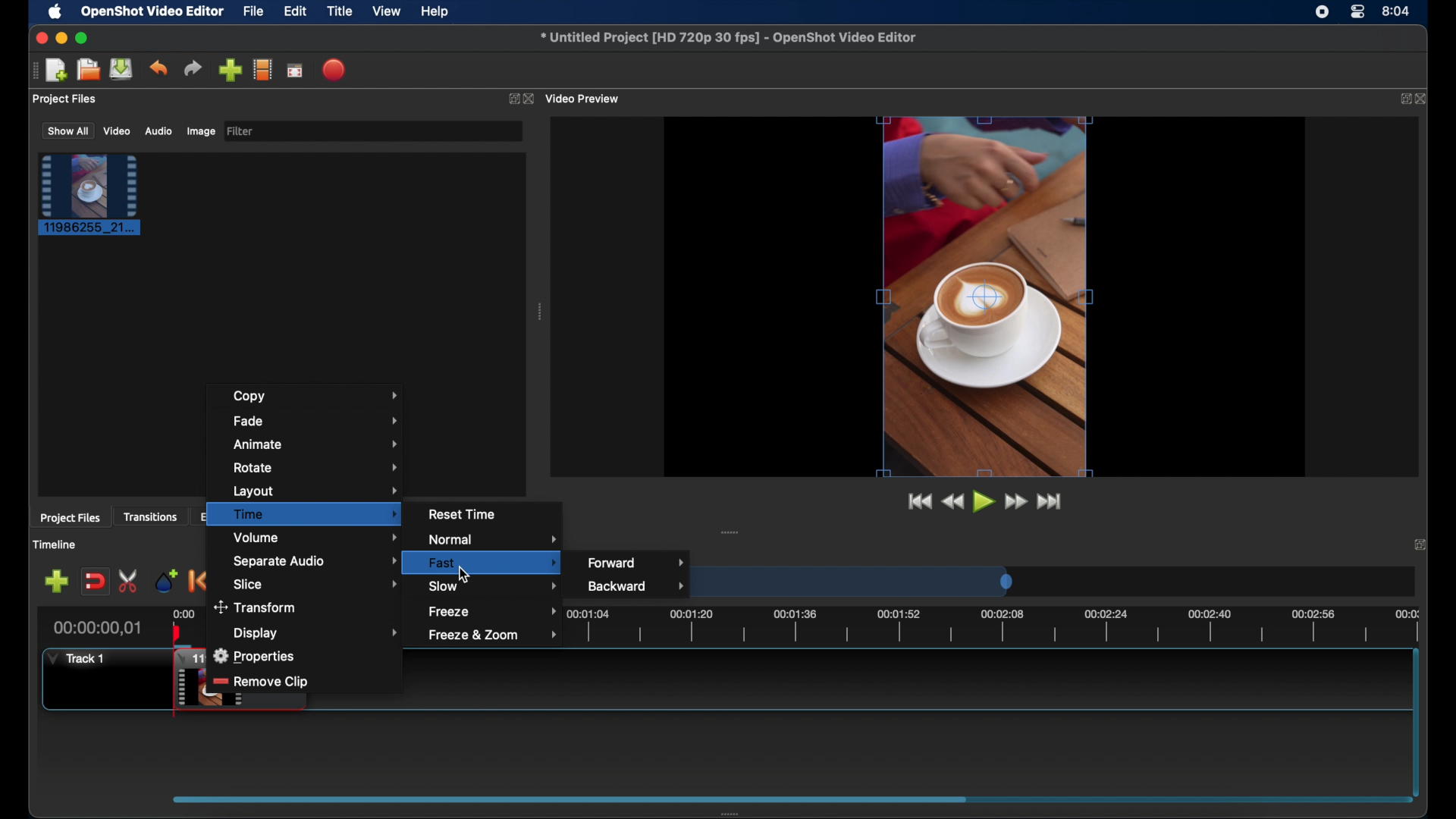 This screenshot has height=819, width=1456. I want to click on jump to start, so click(919, 501).